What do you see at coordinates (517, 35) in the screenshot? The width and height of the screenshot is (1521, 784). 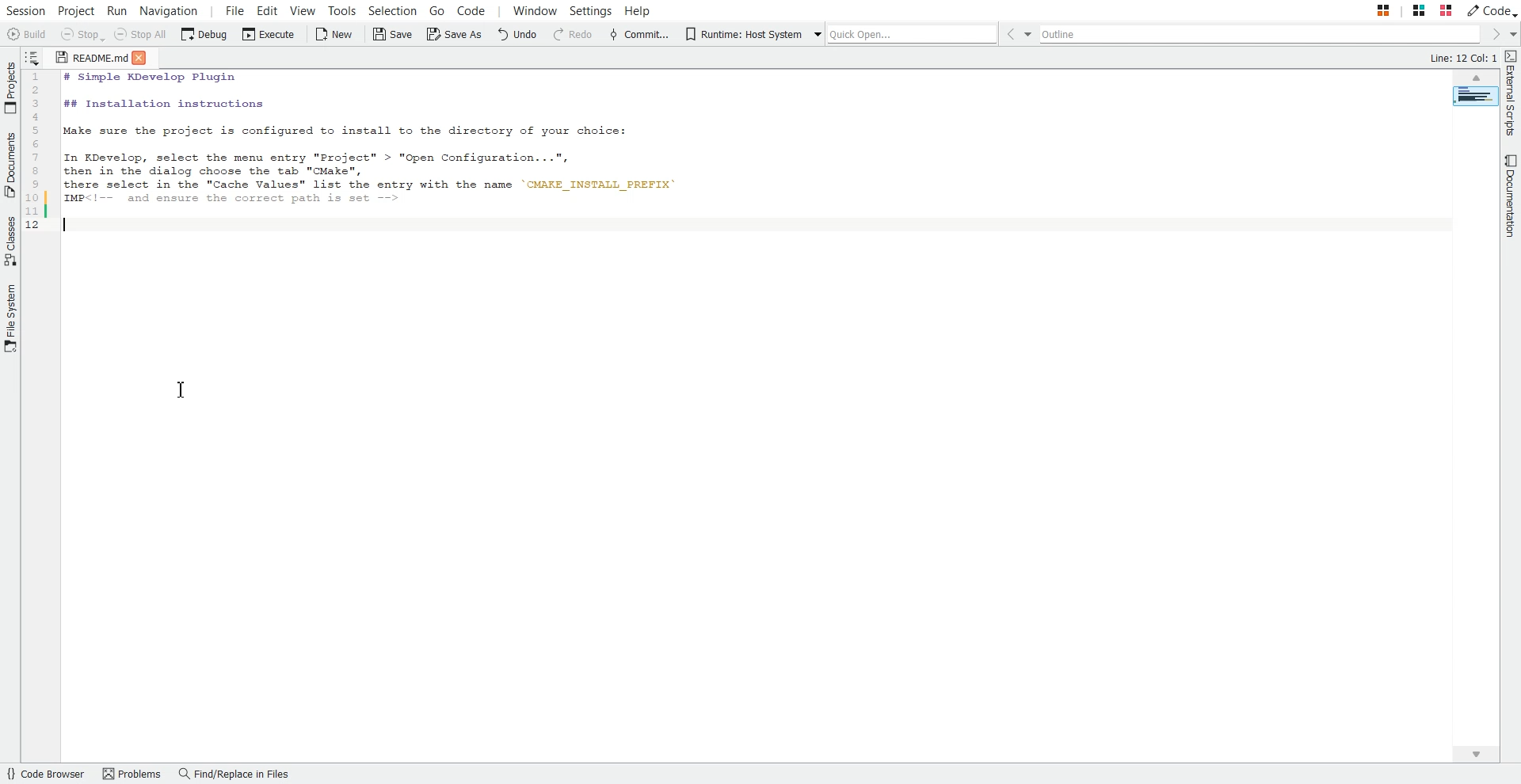 I see `Undo` at bounding box center [517, 35].